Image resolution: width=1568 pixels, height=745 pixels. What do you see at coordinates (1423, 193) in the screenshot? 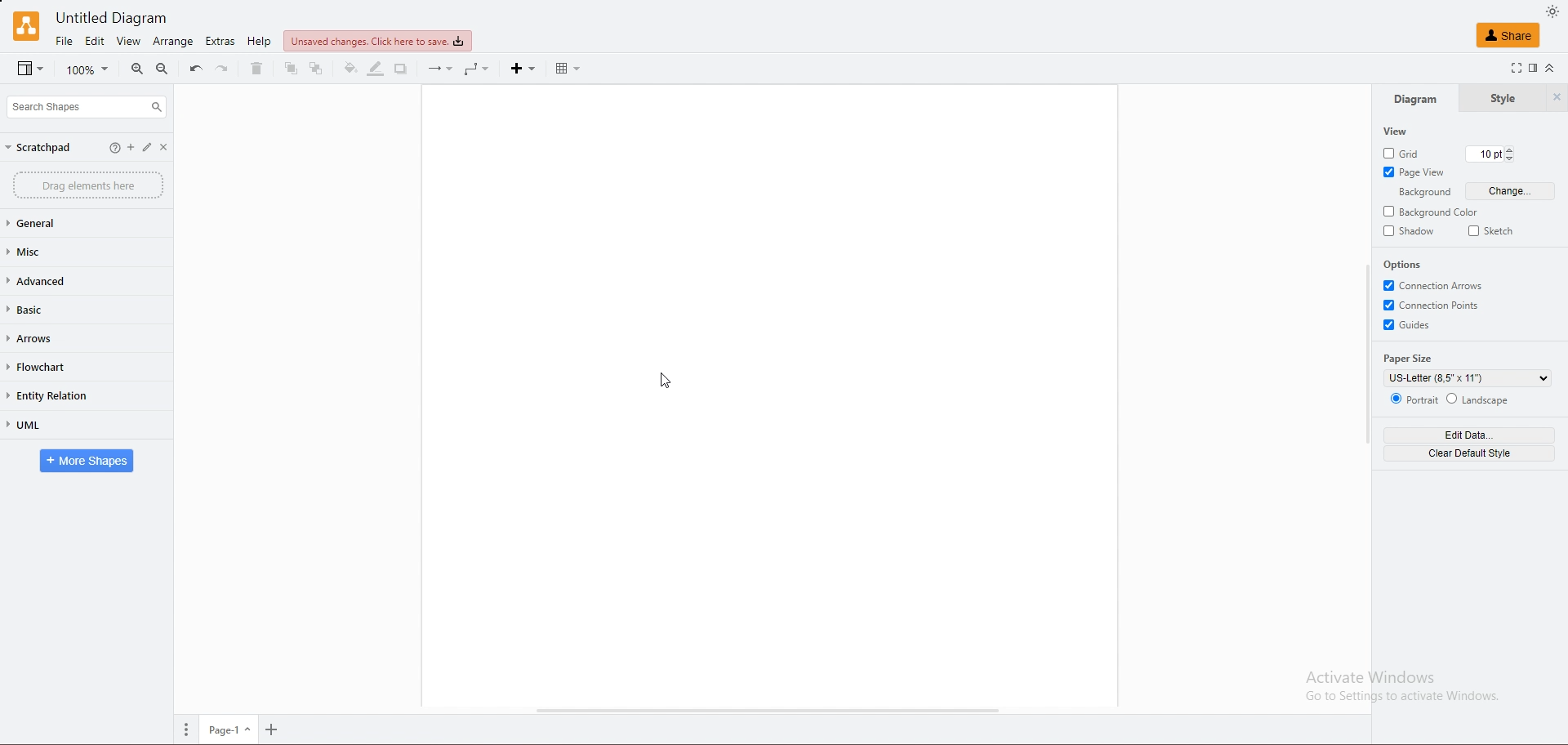
I see `background` at bounding box center [1423, 193].